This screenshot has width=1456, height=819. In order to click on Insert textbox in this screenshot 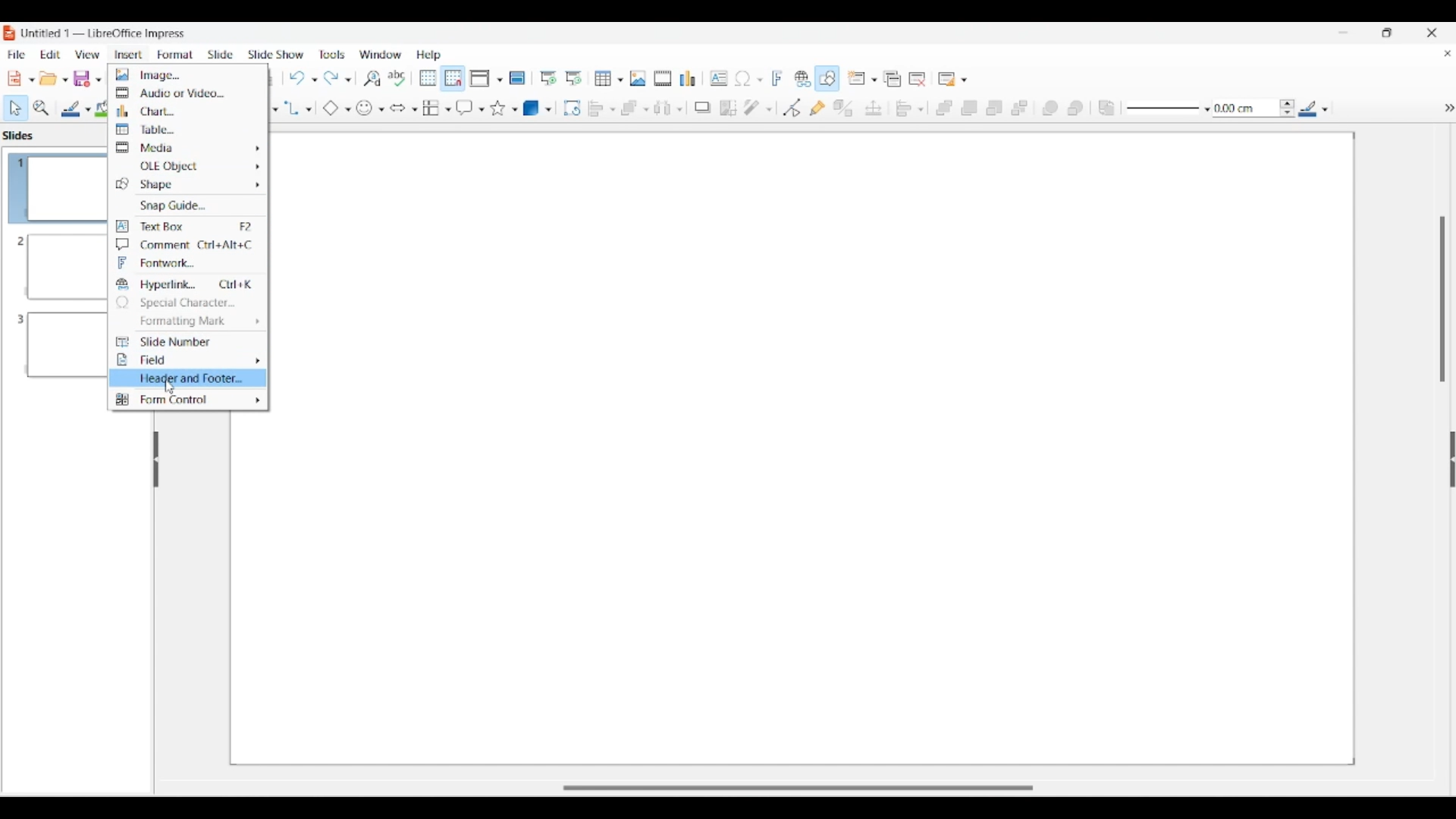, I will do `click(719, 78)`.